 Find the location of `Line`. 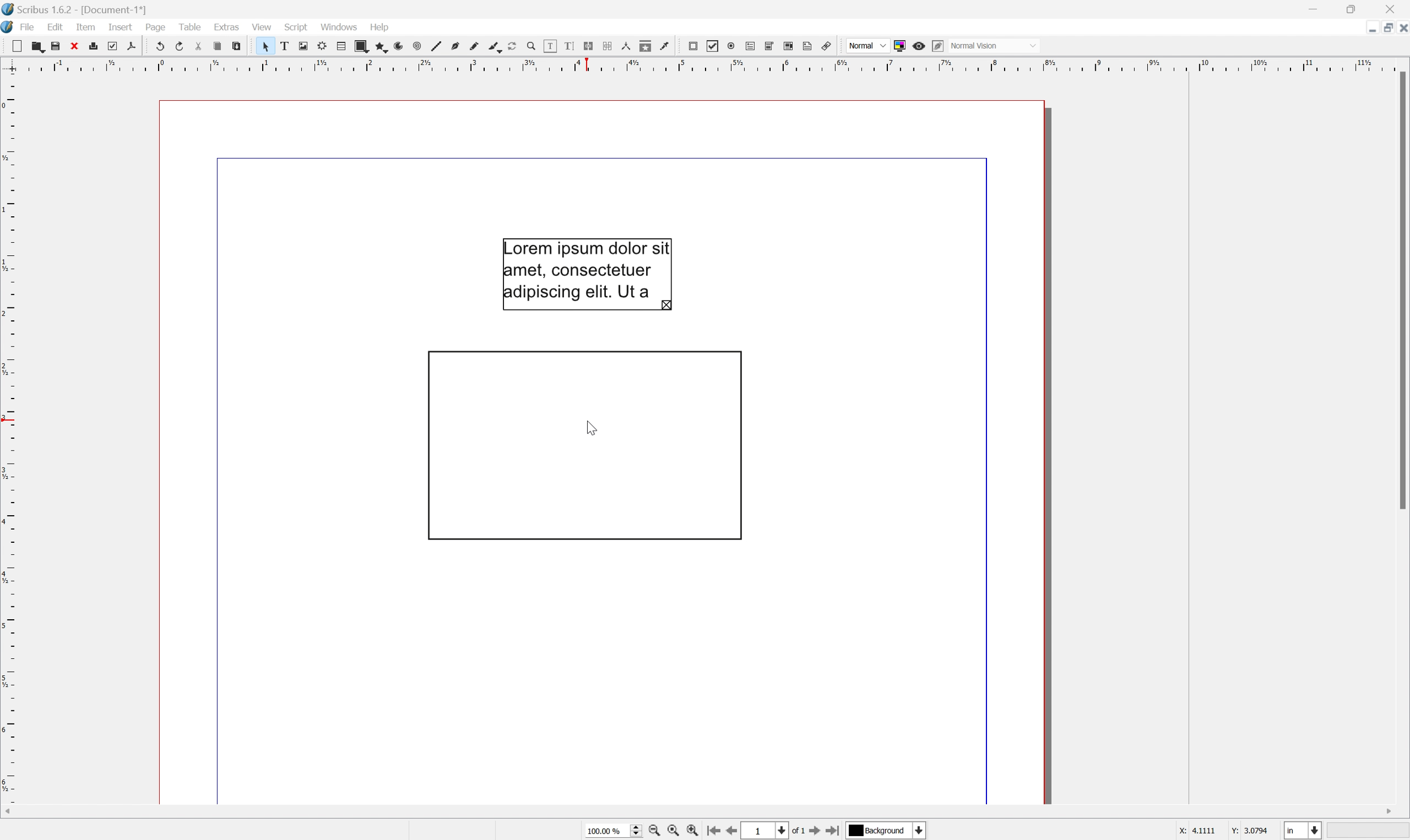

Line is located at coordinates (434, 46).